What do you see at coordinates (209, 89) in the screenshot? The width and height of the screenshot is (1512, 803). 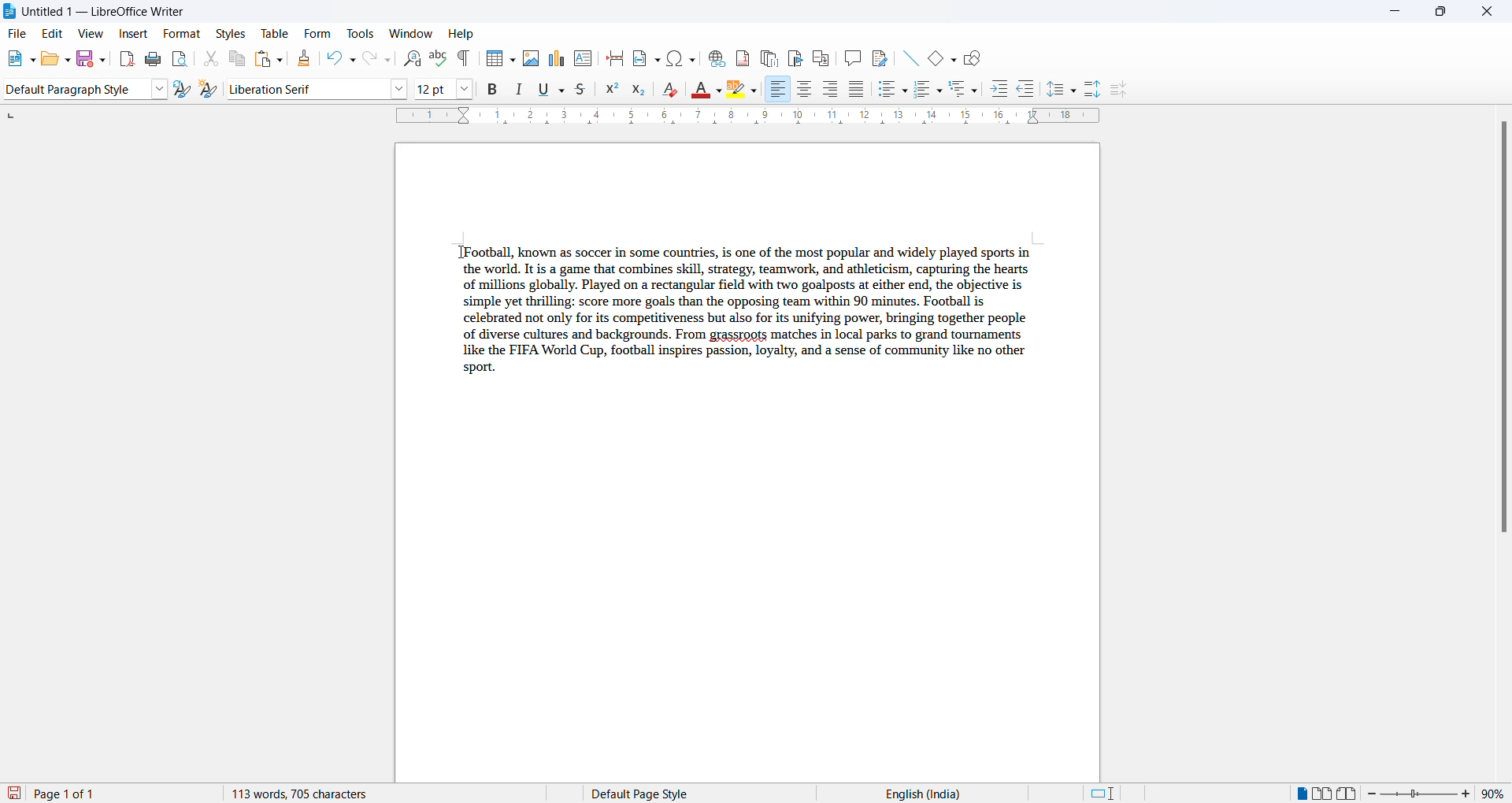 I see `create new style from selections` at bounding box center [209, 89].